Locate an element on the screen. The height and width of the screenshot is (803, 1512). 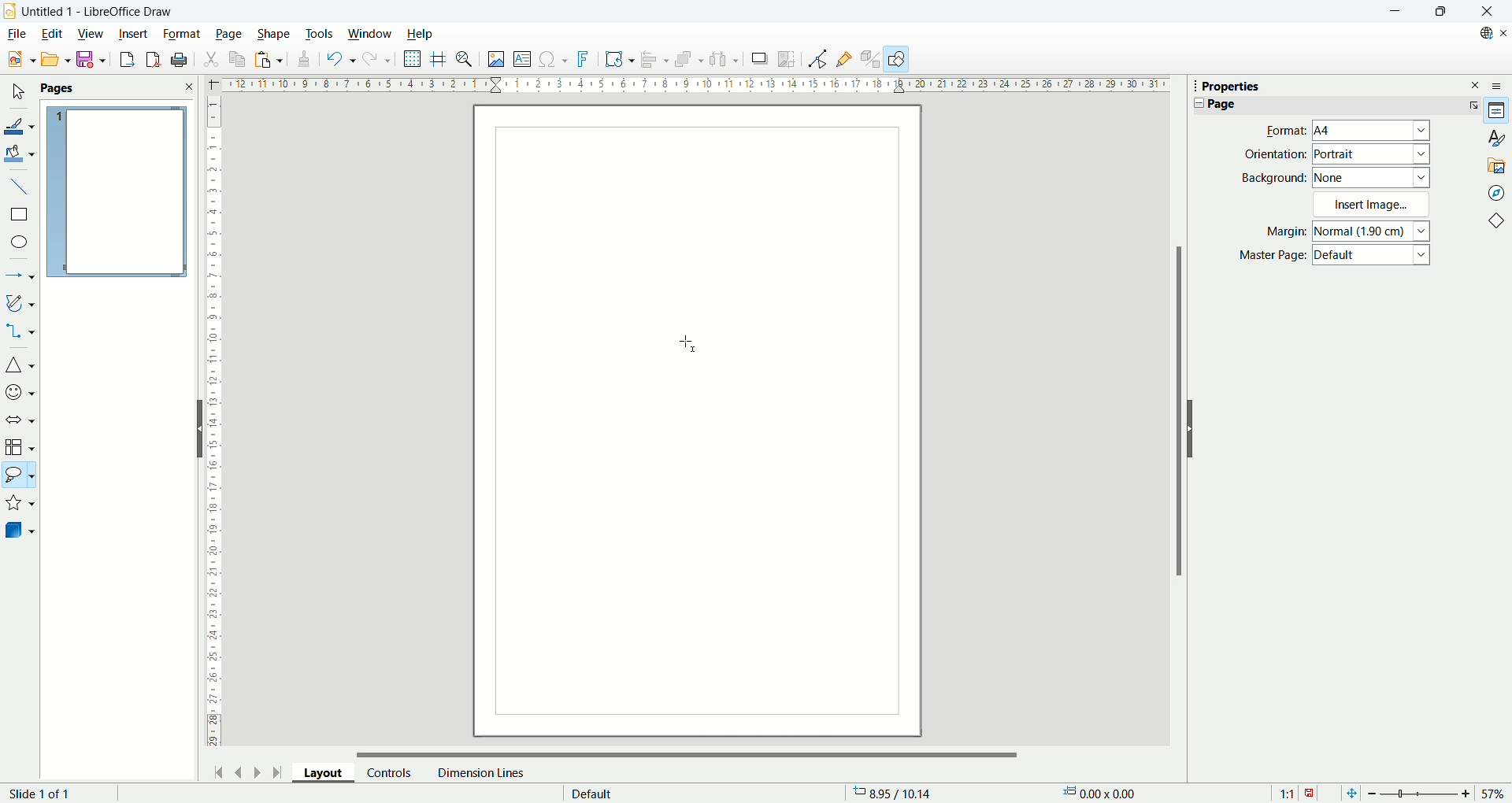
zoom and pan is located at coordinates (465, 61).